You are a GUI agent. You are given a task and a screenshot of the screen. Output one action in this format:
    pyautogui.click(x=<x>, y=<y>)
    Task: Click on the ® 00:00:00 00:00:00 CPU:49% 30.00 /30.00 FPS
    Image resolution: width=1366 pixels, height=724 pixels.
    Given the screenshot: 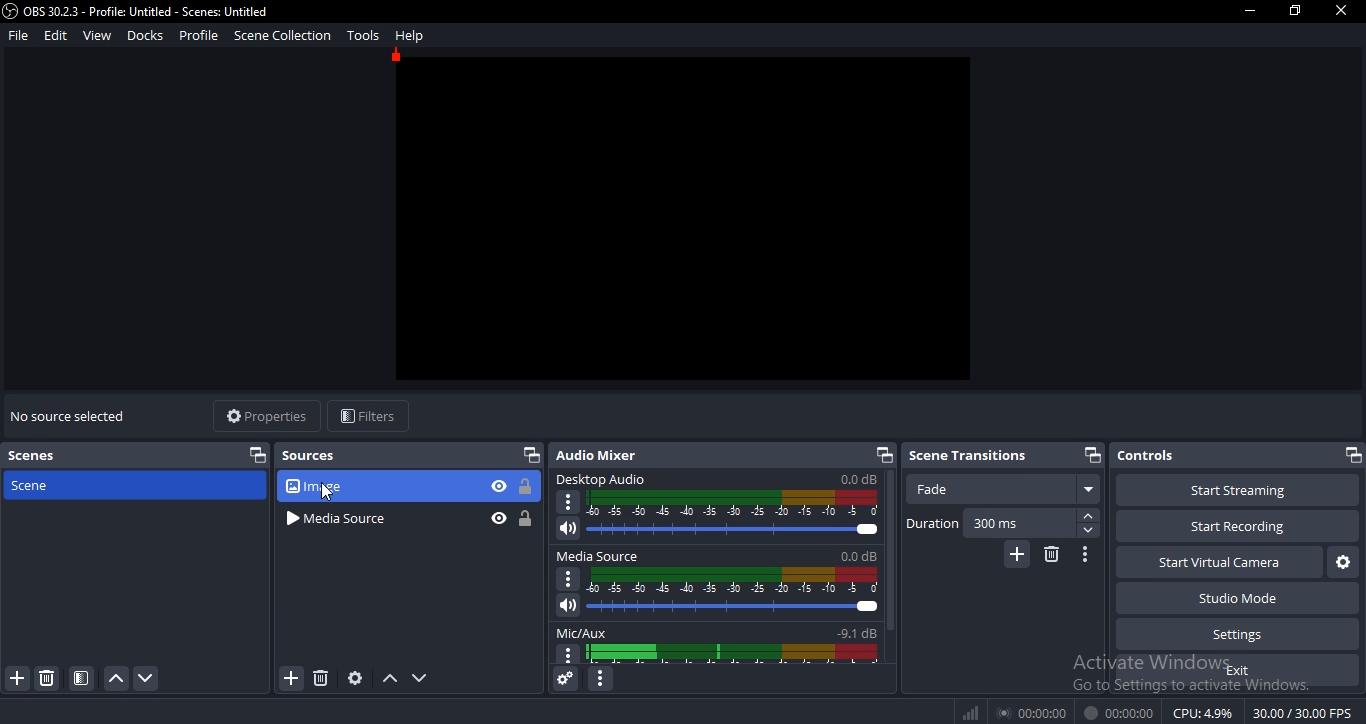 What is the action you would take?
    pyautogui.click(x=1155, y=711)
    